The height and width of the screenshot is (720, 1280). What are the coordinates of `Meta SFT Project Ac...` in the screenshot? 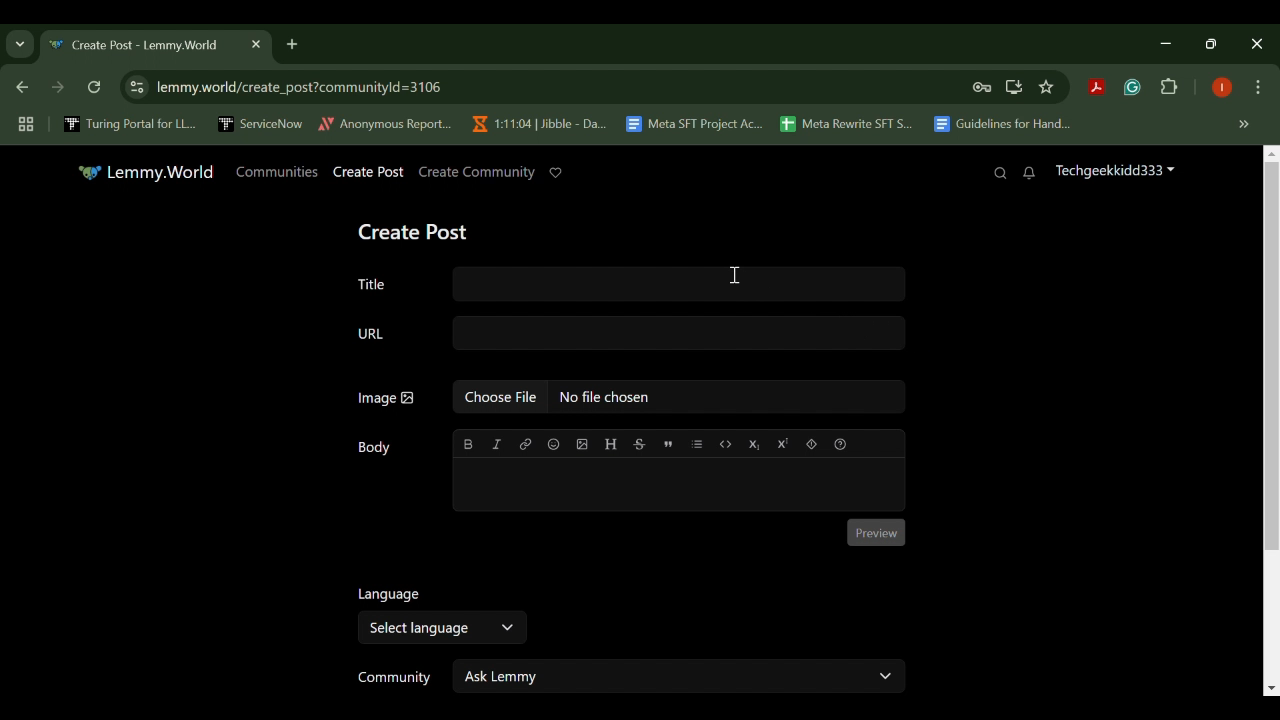 It's located at (693, 125).